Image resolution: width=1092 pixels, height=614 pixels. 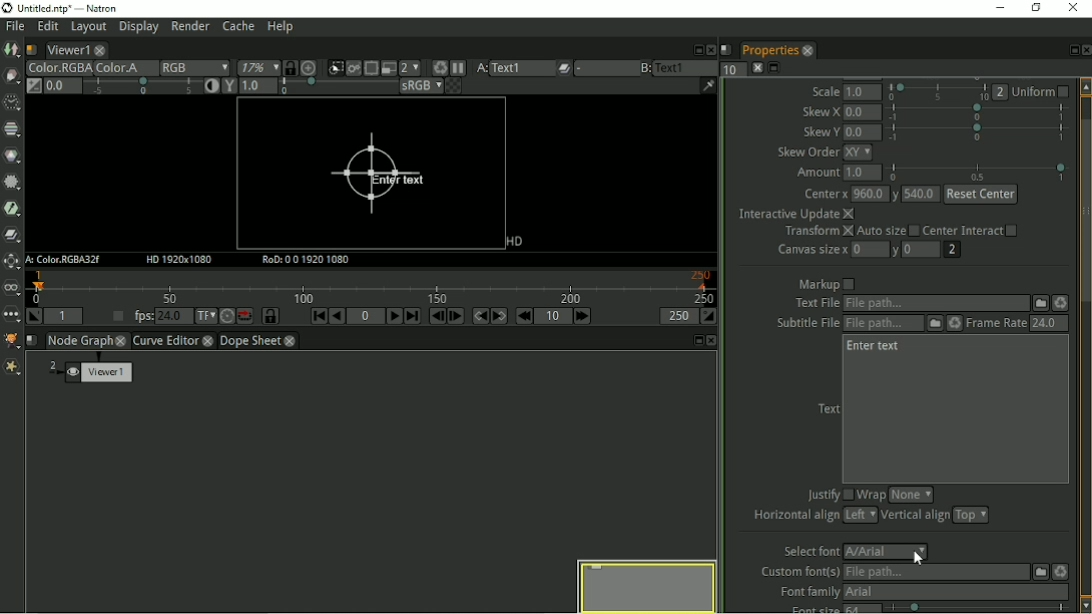 I want to click on 0.0, so click(x=862, y=132).